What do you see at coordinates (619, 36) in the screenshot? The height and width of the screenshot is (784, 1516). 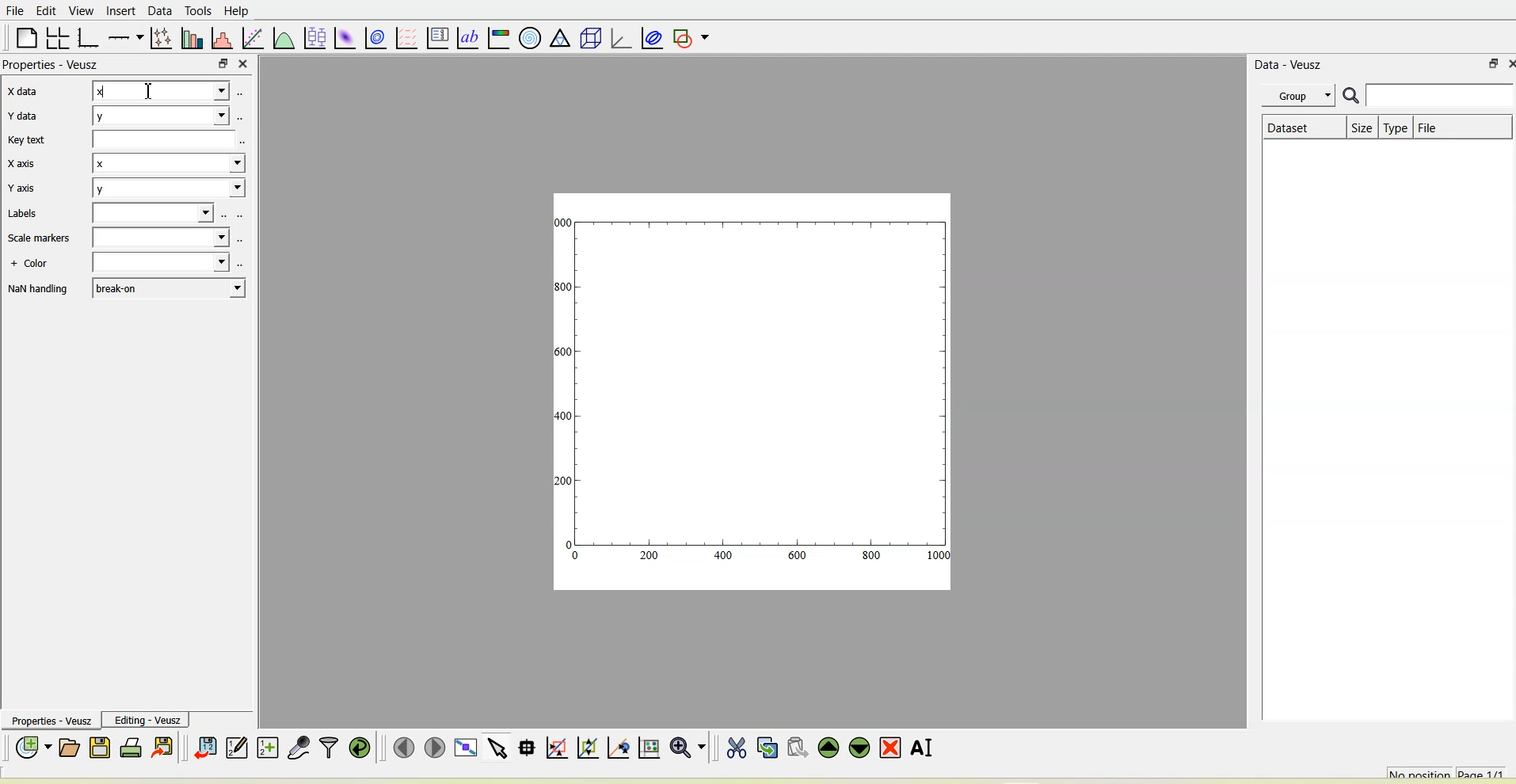 I see `3d graph` at bounding box center [619, 36].